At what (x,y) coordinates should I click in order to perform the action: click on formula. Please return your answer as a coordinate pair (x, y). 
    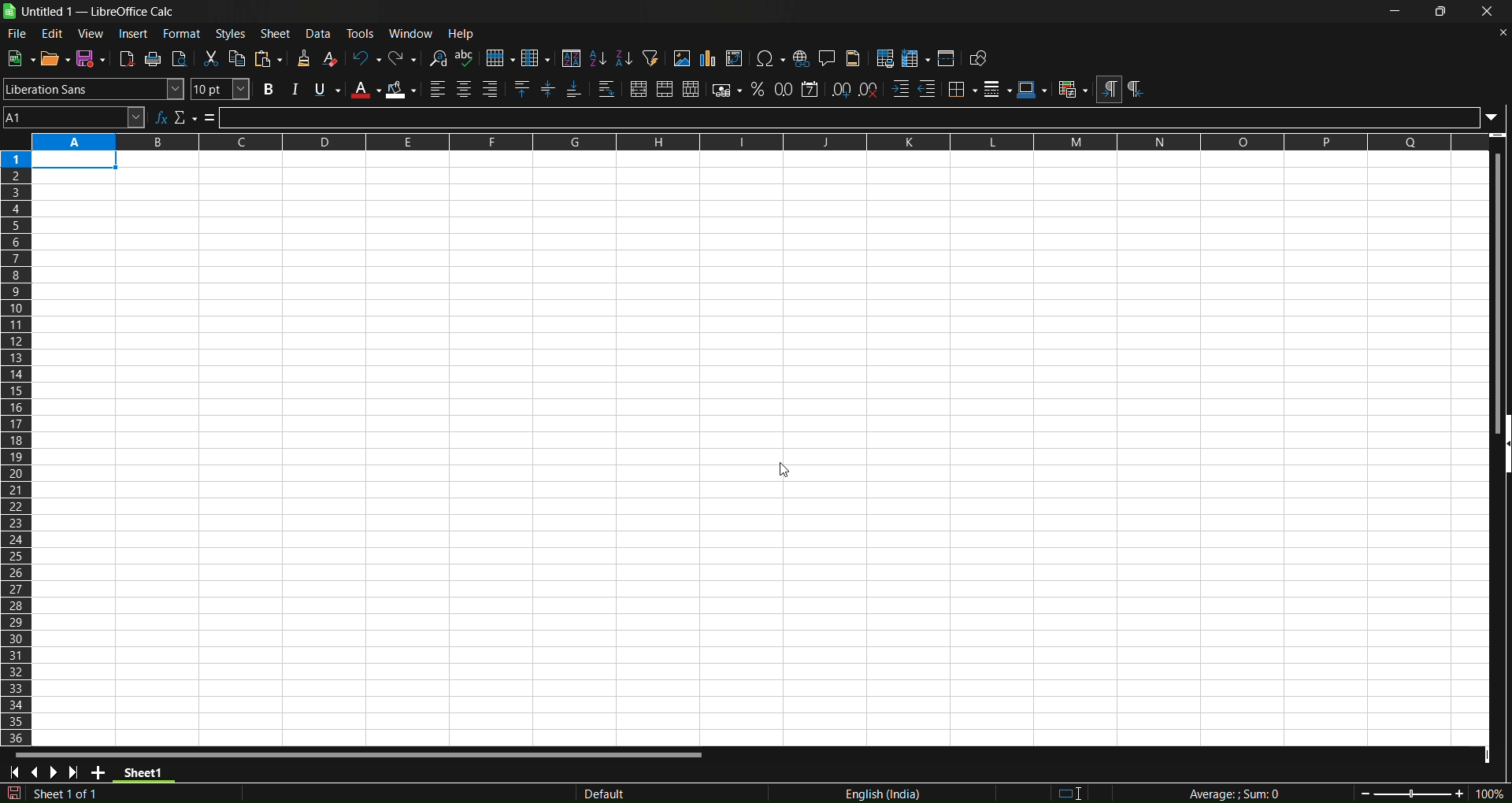
    Looking at the image, I should click on (210, 118).